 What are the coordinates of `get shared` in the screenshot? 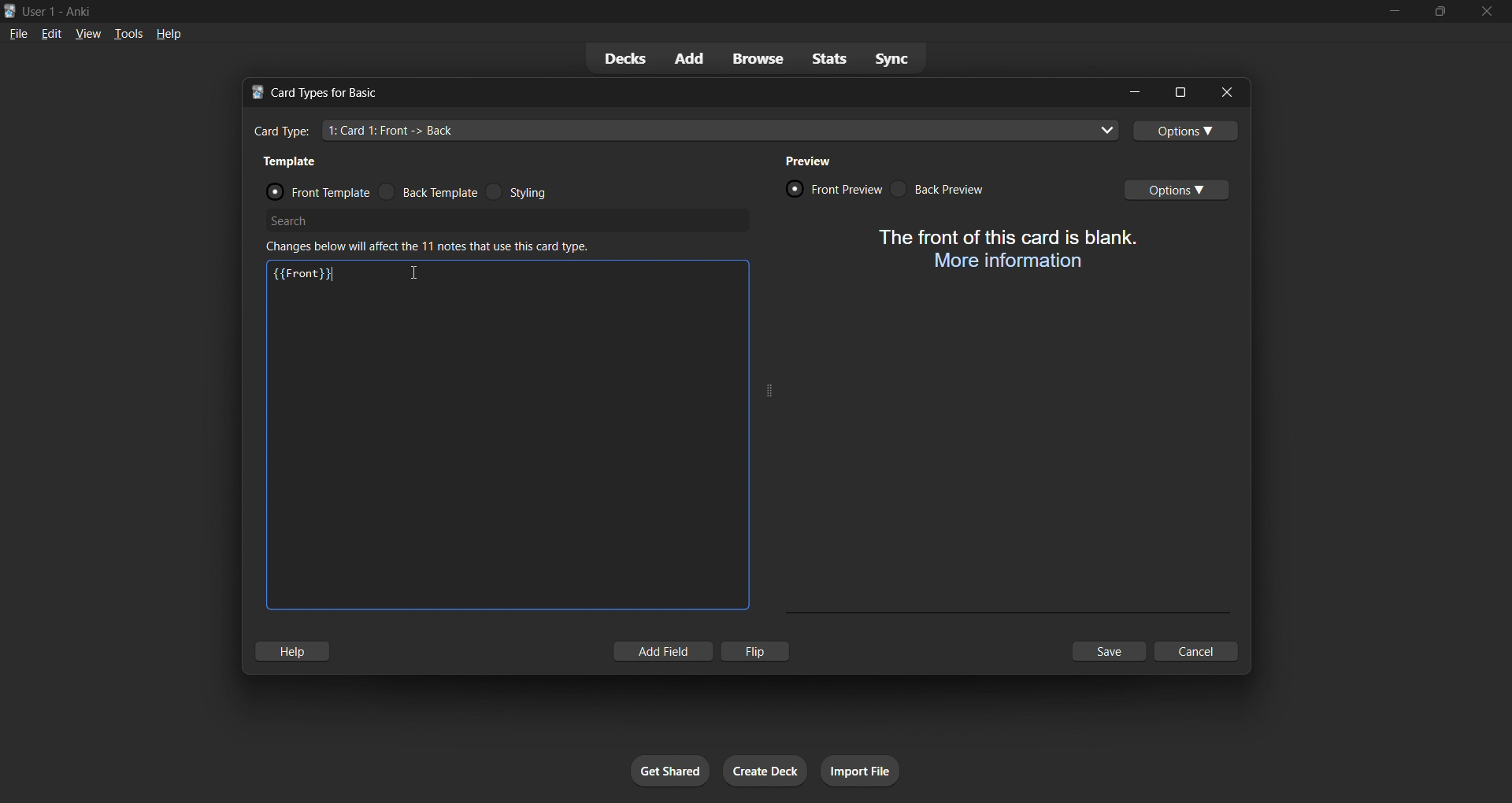 It's located at (667, 770).